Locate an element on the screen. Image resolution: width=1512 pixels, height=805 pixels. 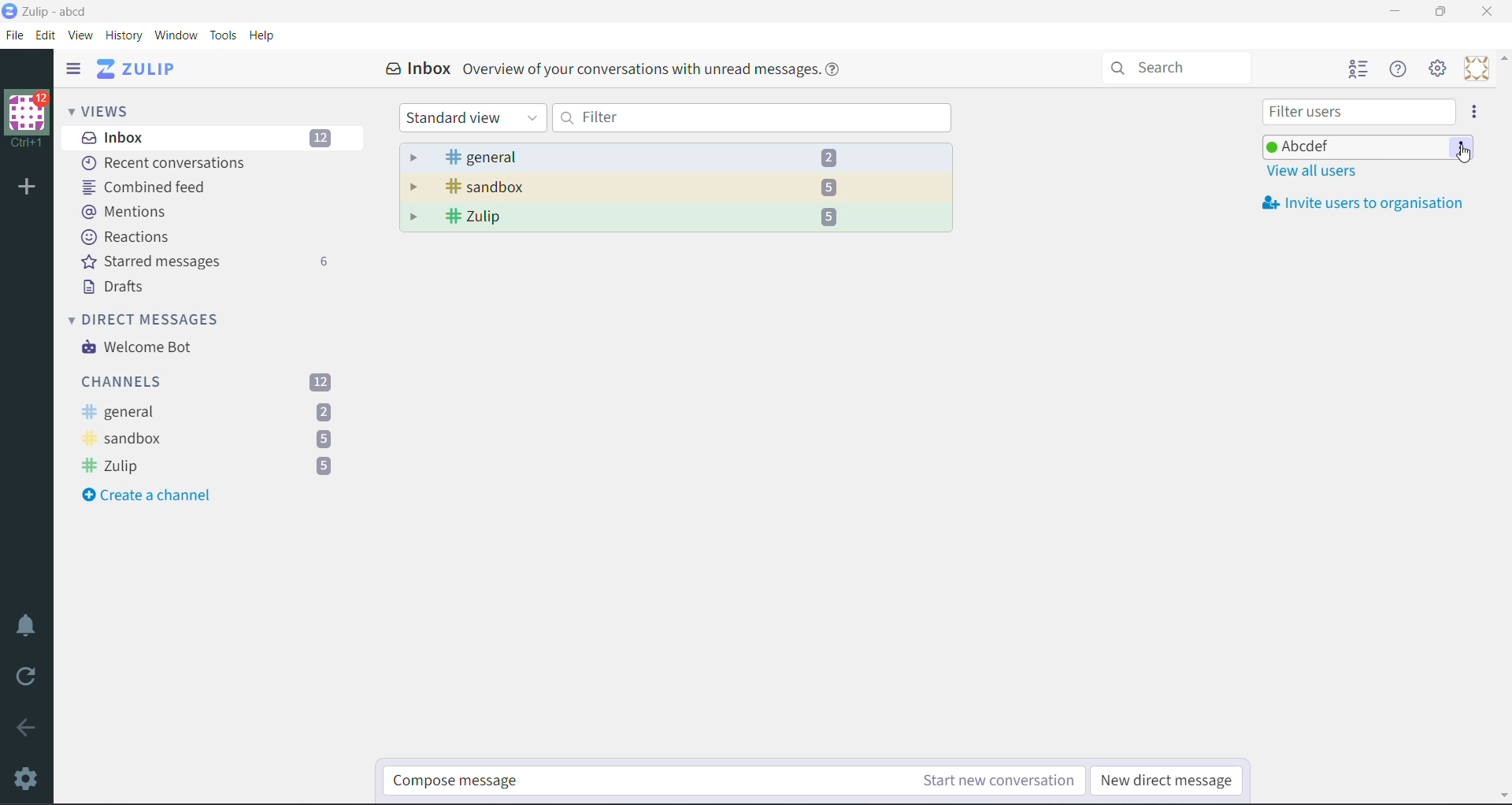
Go back is located at coordinates (28, 729).